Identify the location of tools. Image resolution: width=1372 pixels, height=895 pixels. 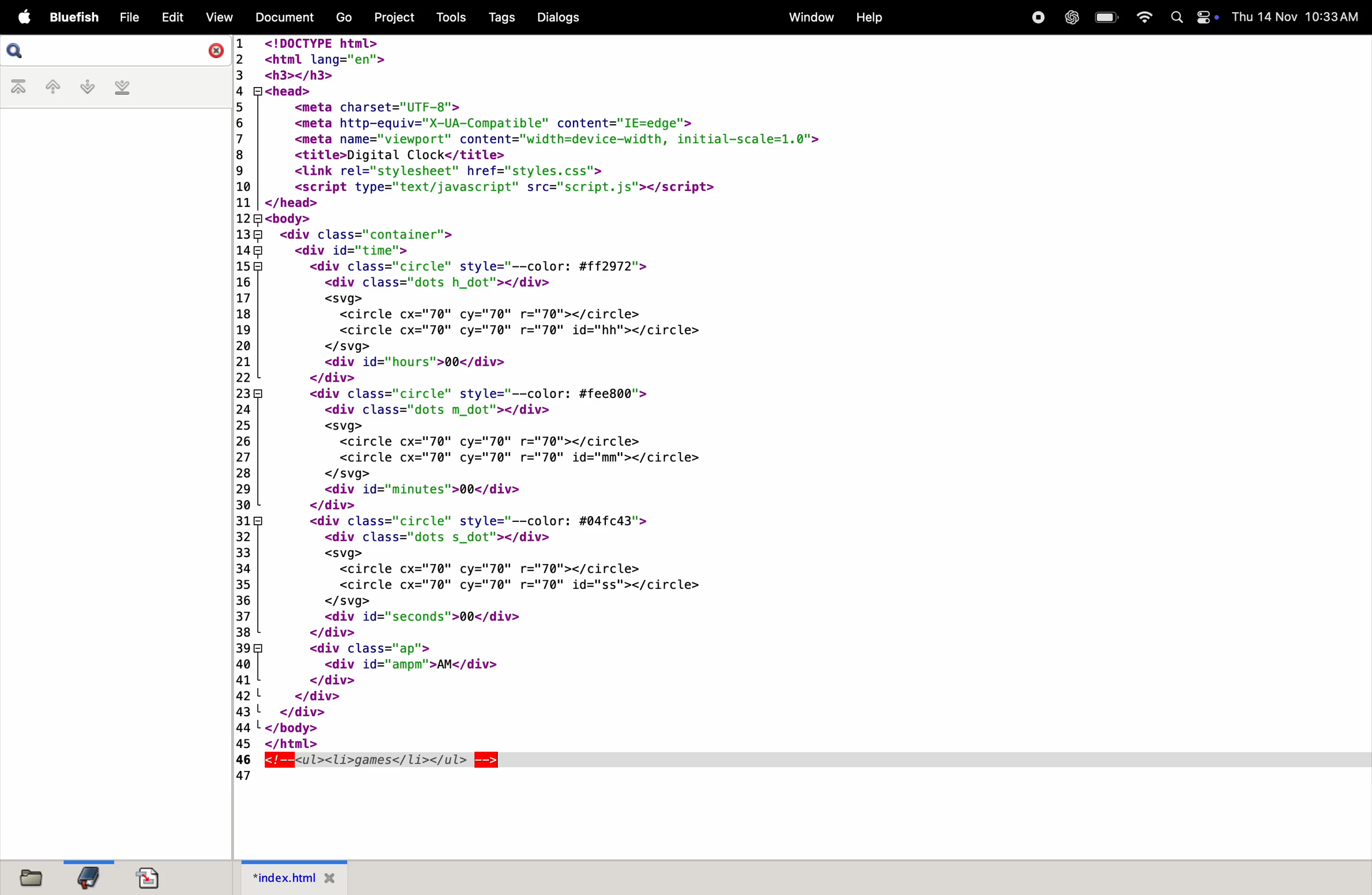
(446, 16).